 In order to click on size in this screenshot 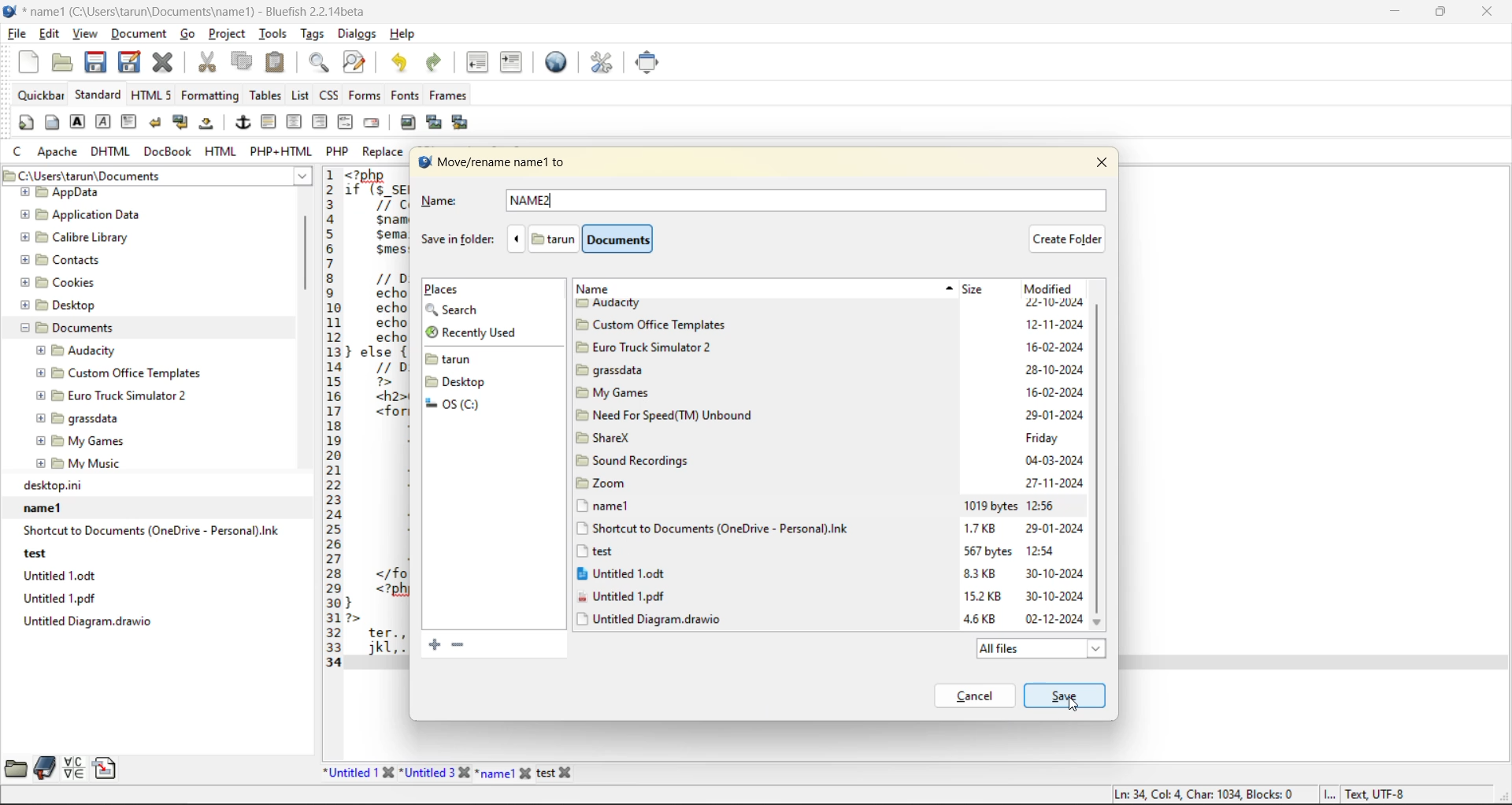, I will do `click(980, 289)`.